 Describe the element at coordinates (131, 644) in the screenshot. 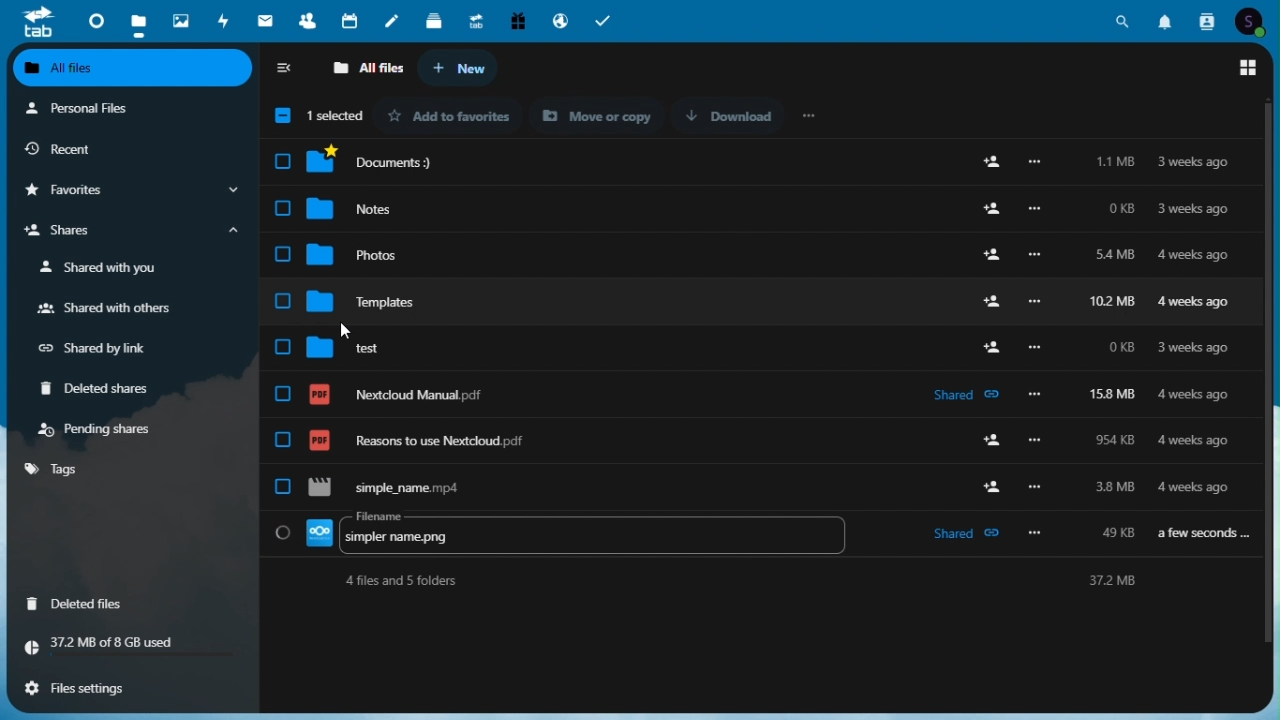

I see `37.2 MB of 8 GB Total` at that location.